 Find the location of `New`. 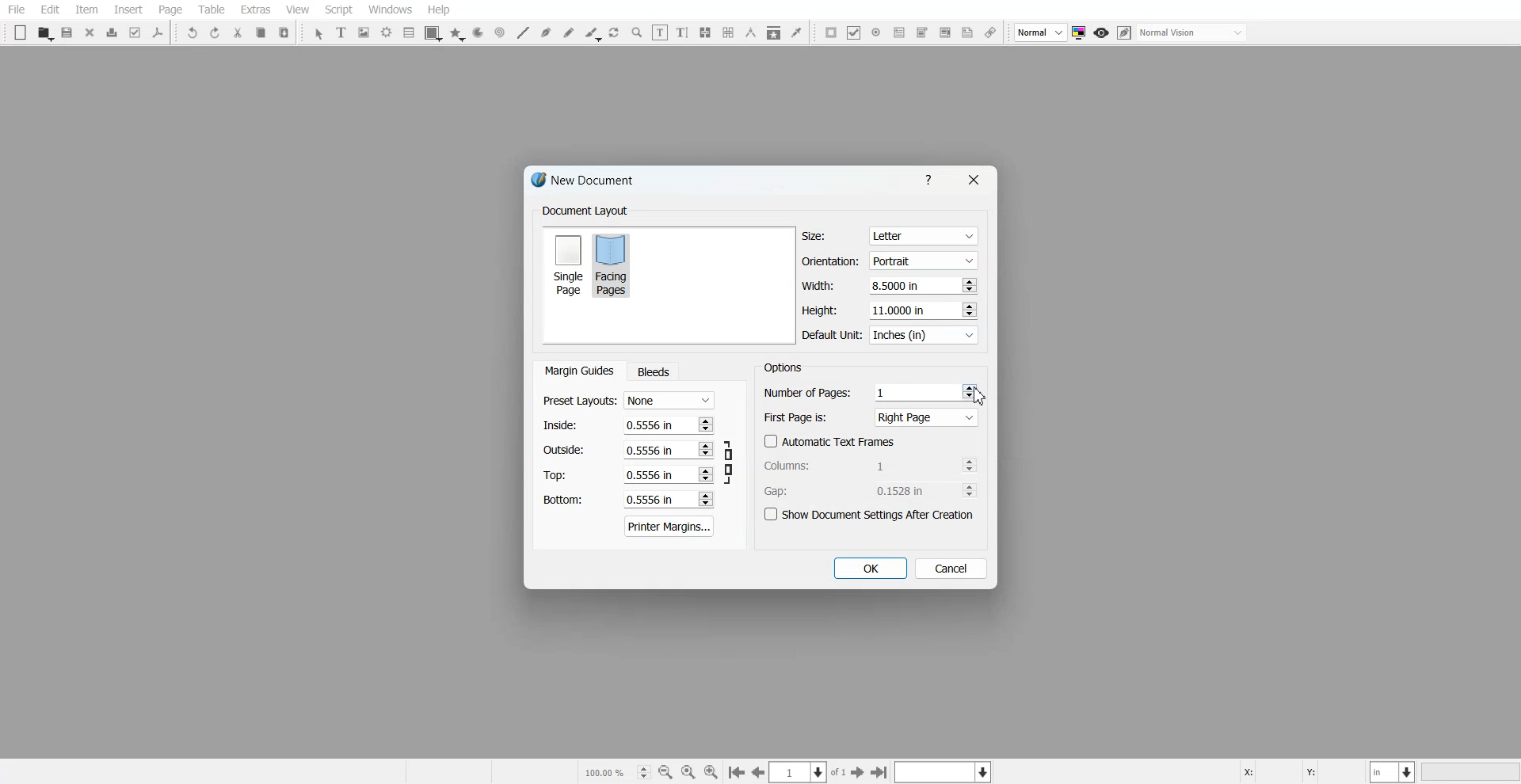

New is located at coordinates (21, 32).